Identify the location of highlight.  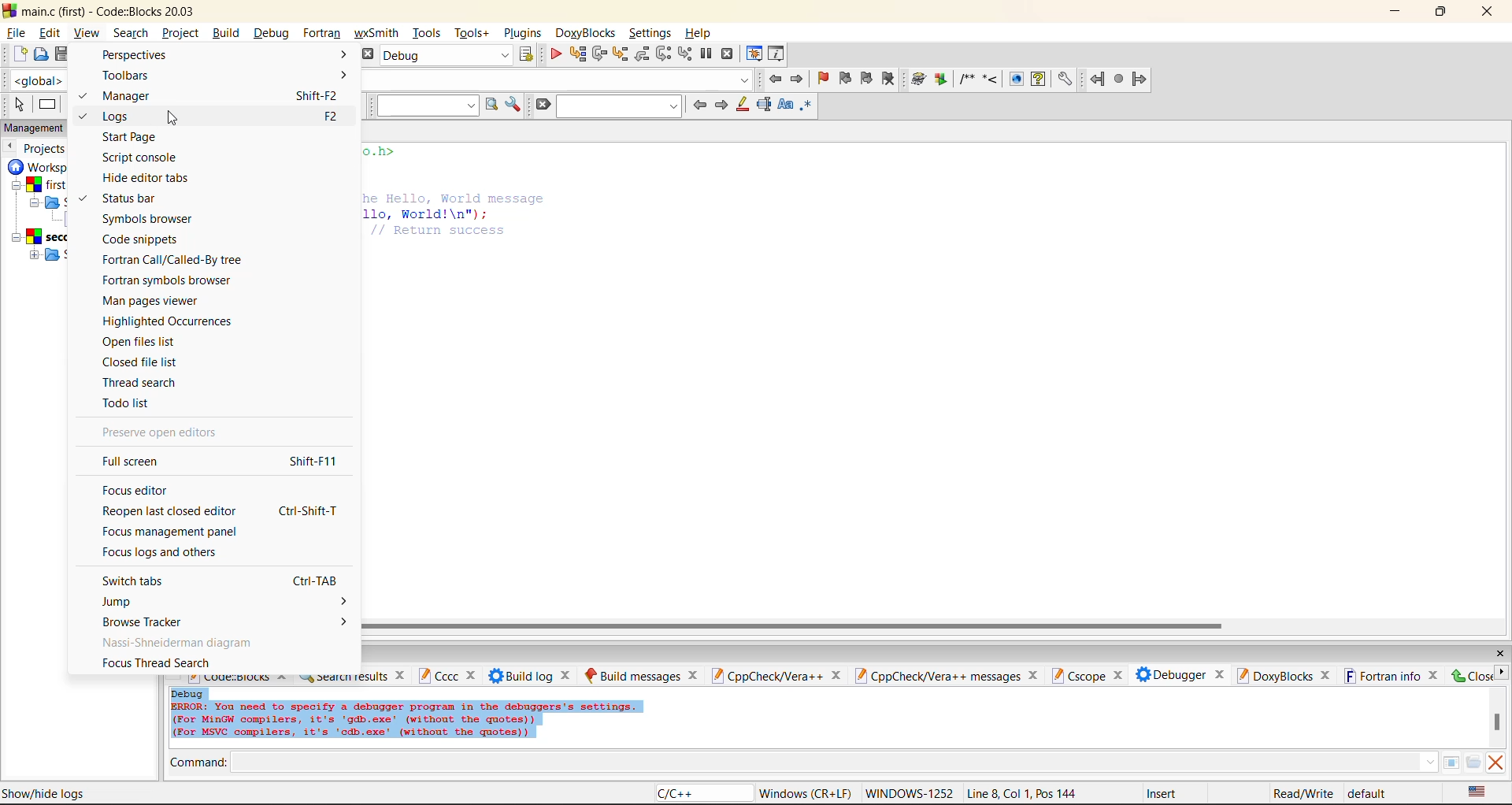
(744, 106).